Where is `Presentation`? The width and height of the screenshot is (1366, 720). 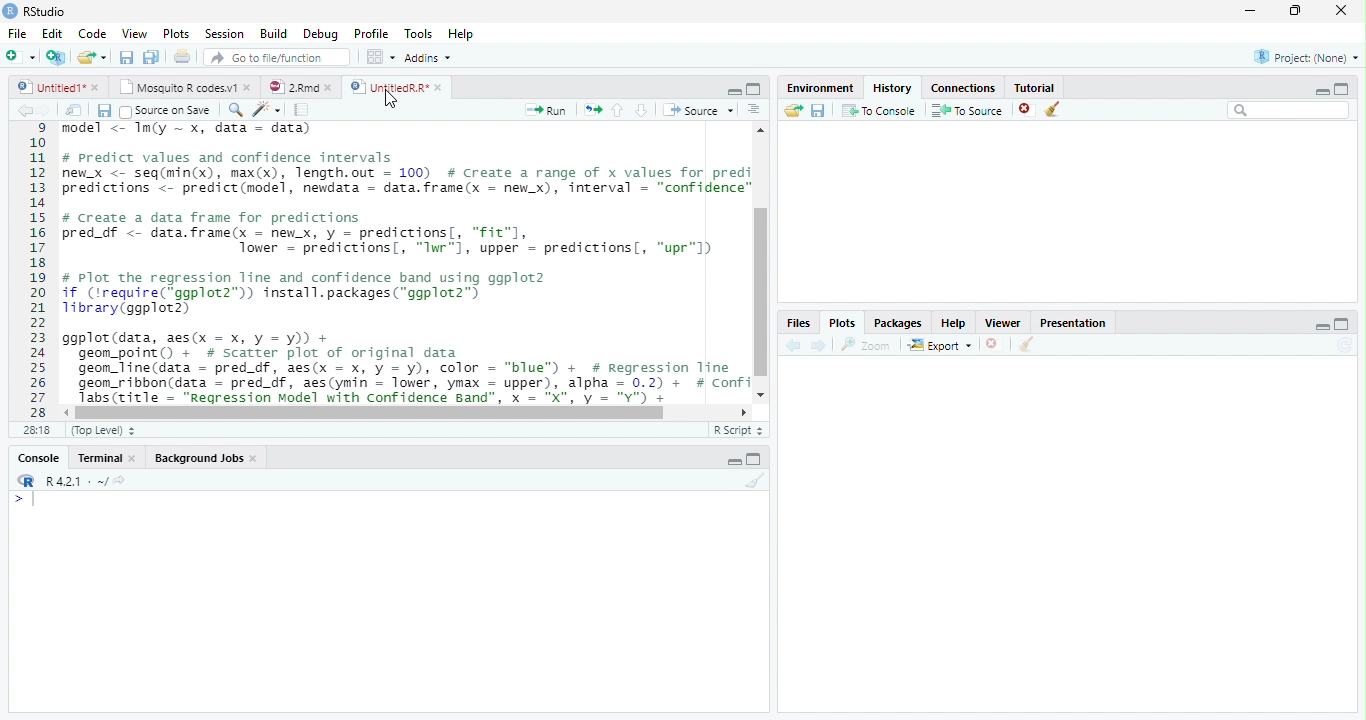 Presentation is located at coordinates (1072, 323).